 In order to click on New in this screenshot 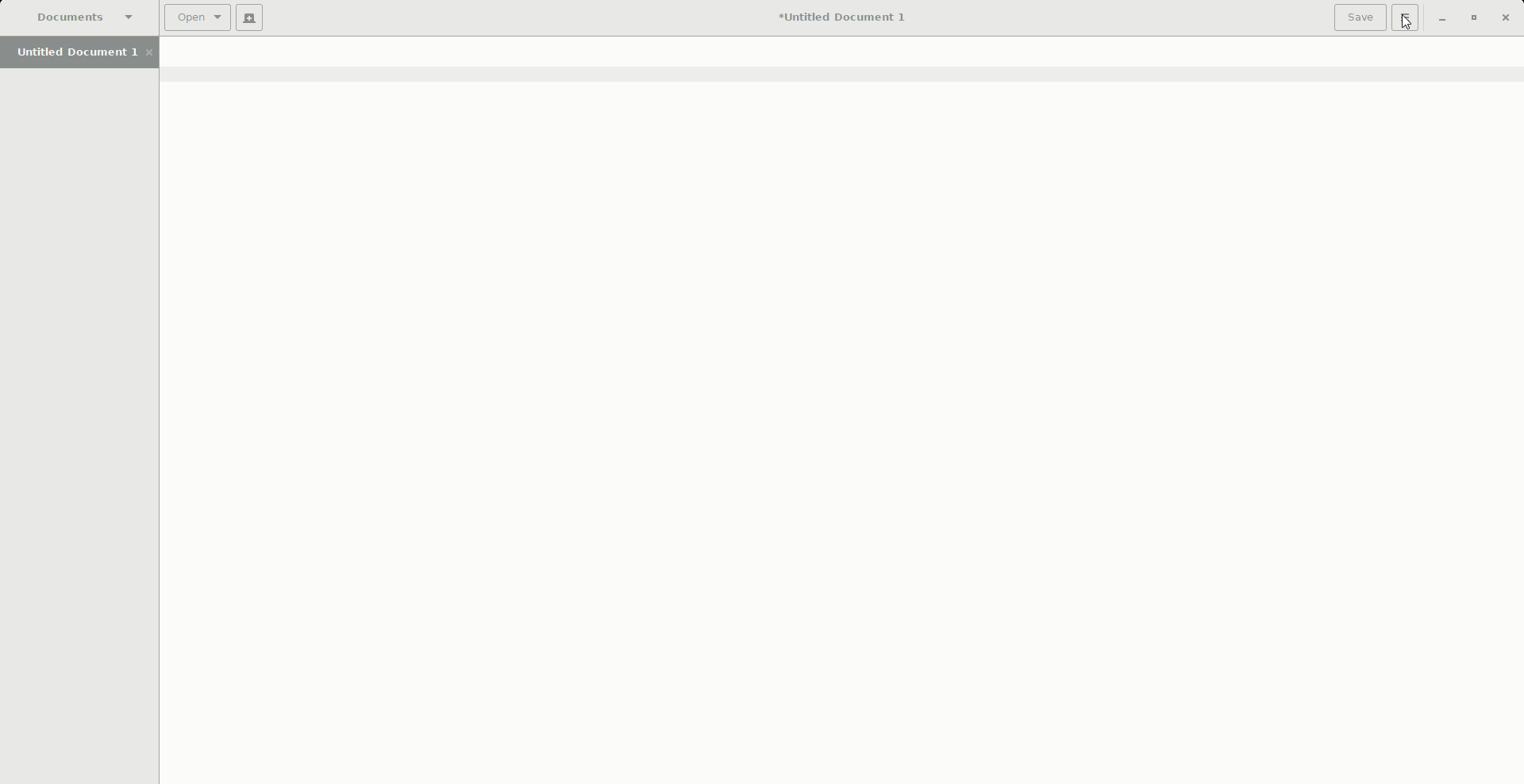, I will do `click(252, 19)`.